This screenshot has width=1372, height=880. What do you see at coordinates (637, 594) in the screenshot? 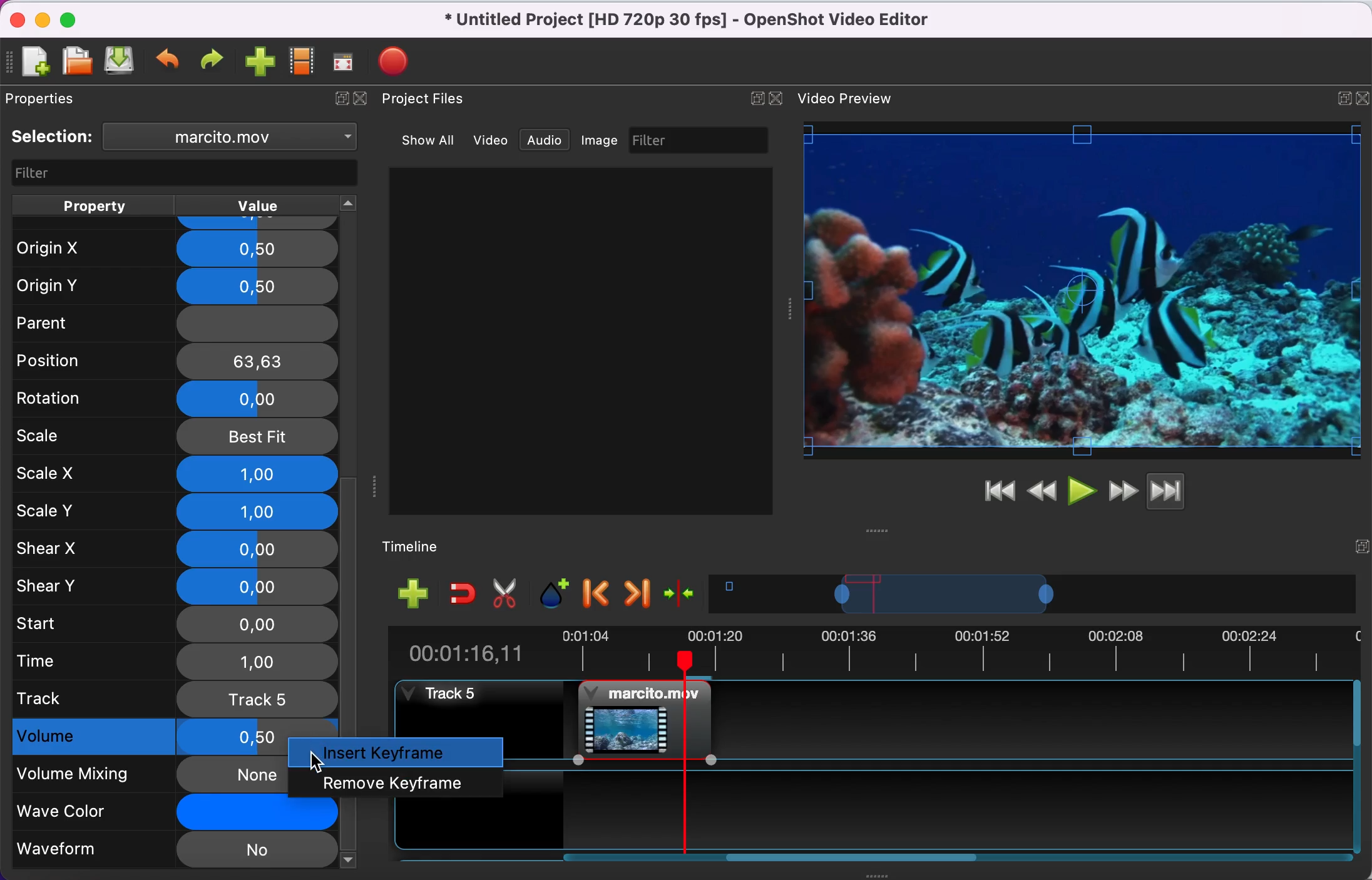
I see `next marker` at bounding box center [637, 594].